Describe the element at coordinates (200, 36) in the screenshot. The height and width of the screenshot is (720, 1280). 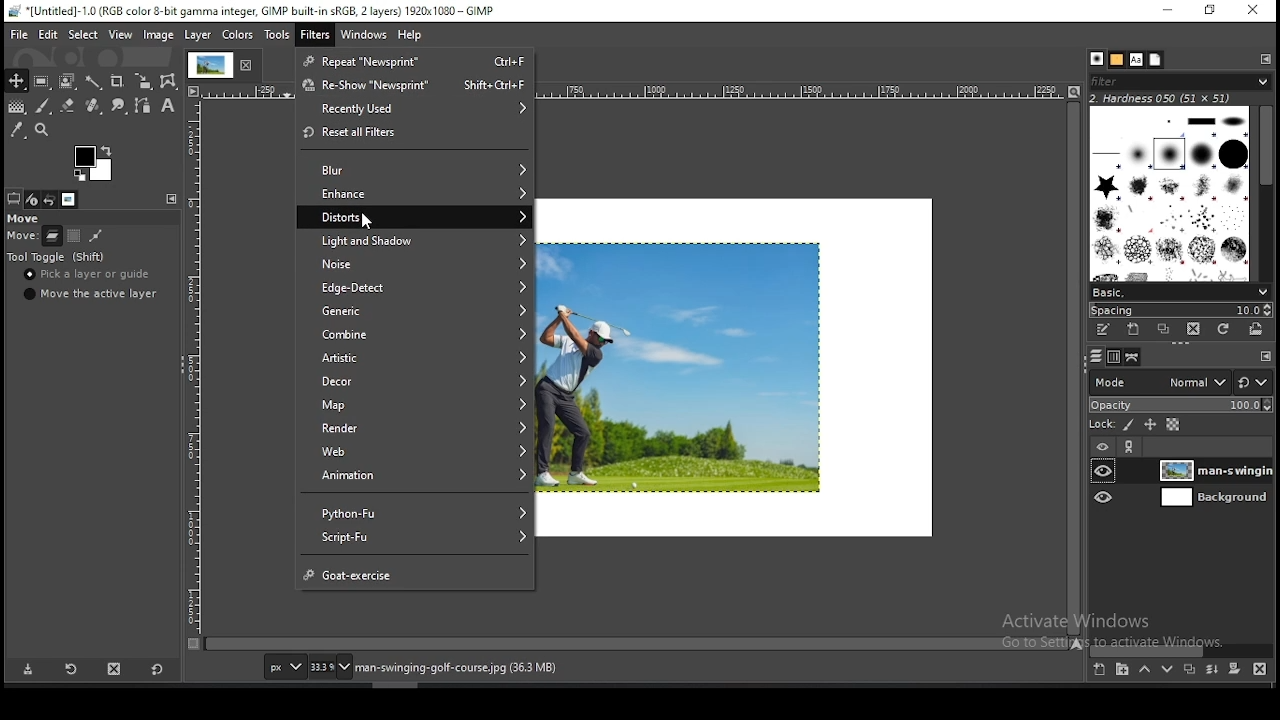
I see `layer` at that location.